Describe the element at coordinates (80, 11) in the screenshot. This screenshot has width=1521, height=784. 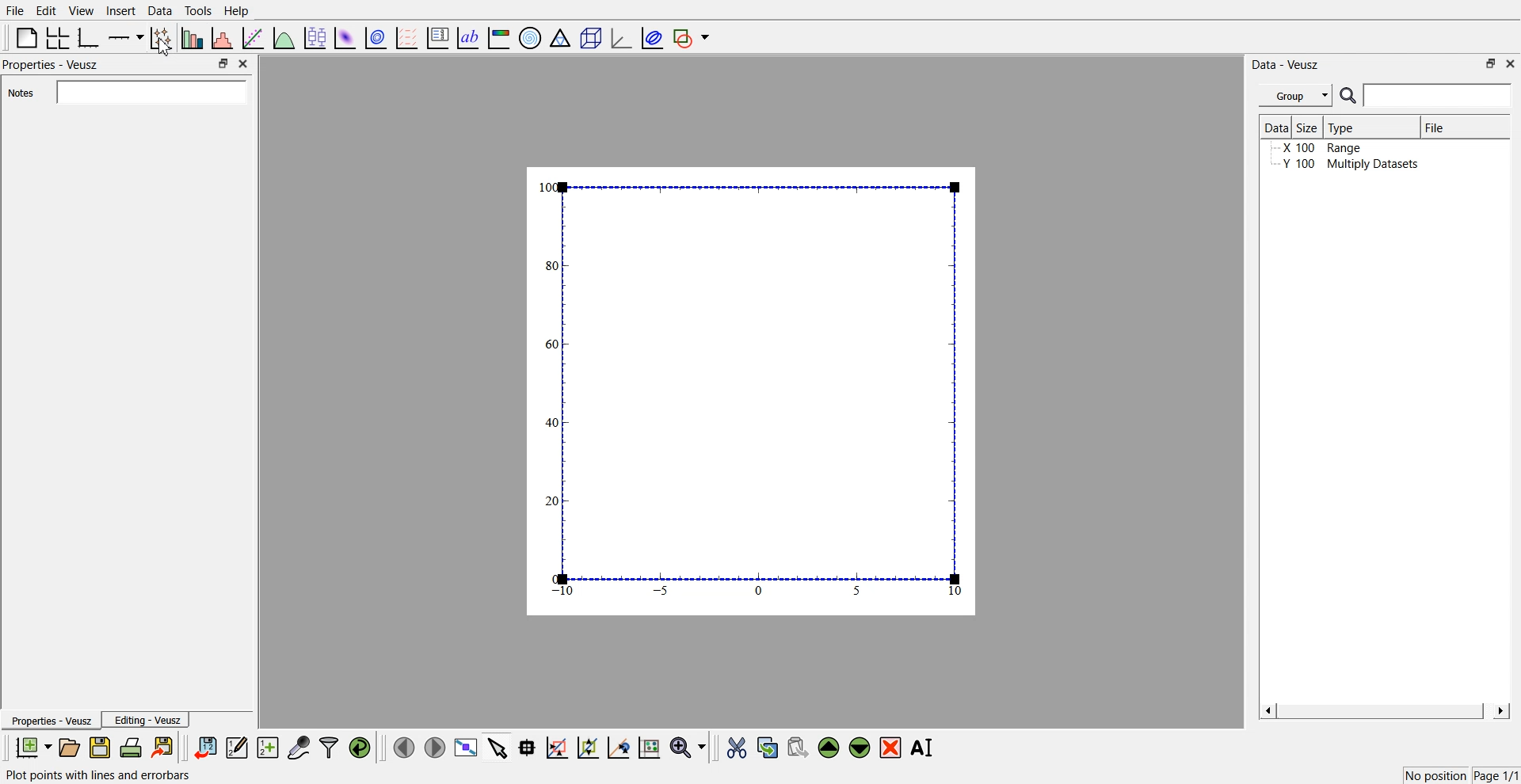
I see `View` at that location.